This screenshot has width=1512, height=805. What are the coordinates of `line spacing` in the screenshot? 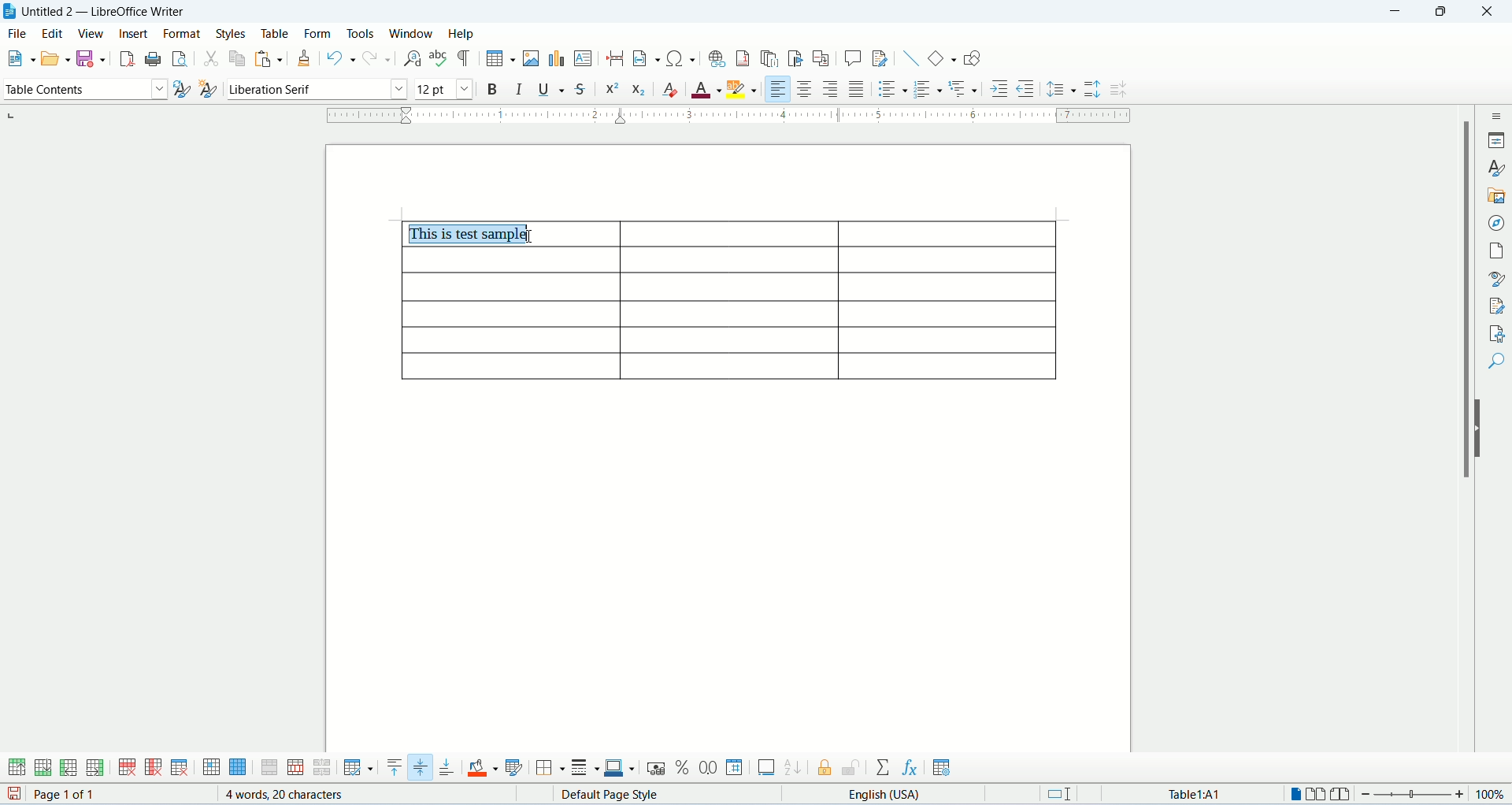 It's located at (1062, 89).